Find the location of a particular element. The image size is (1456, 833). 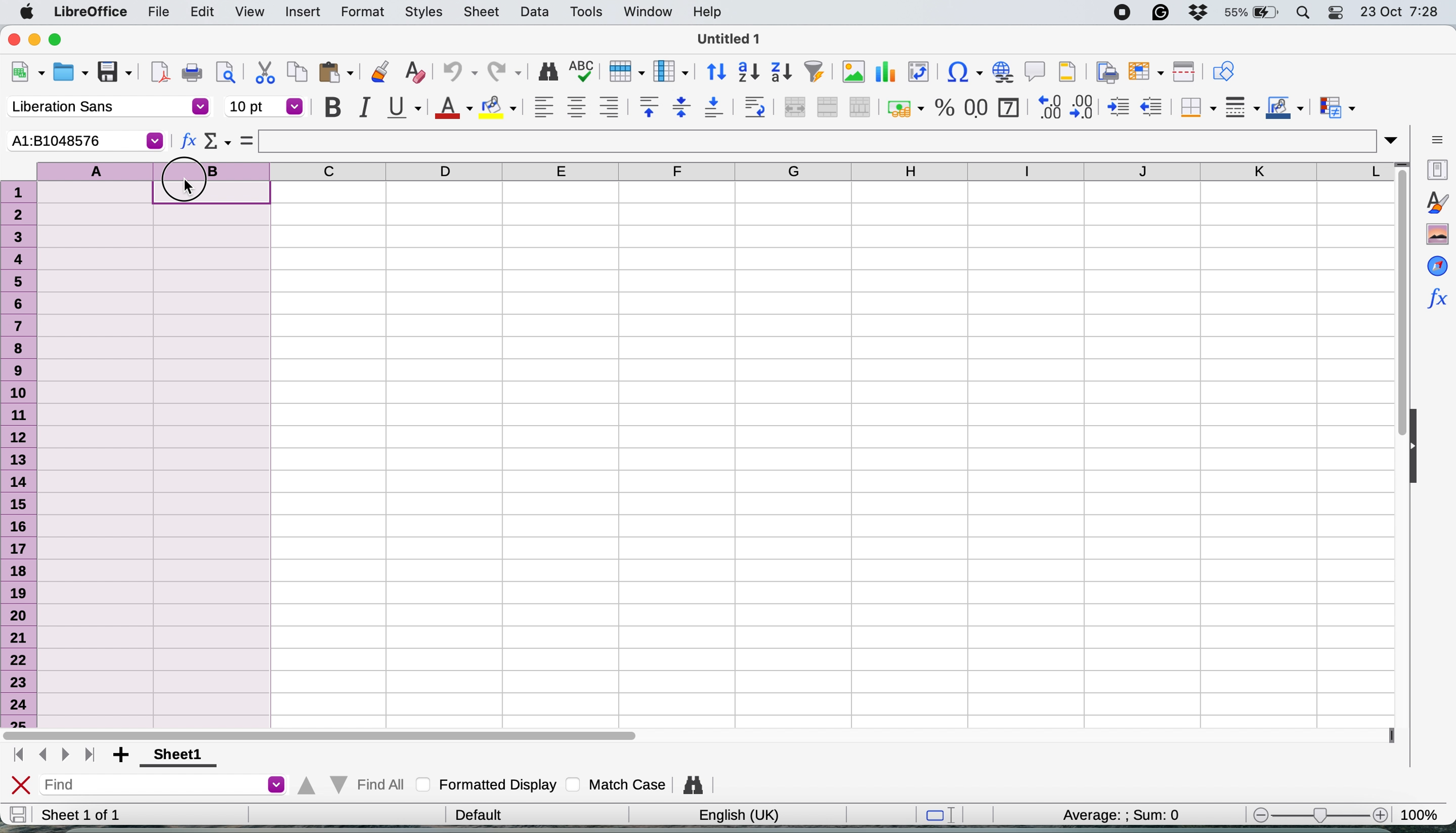

sheet is located at coordinates (486, 11).